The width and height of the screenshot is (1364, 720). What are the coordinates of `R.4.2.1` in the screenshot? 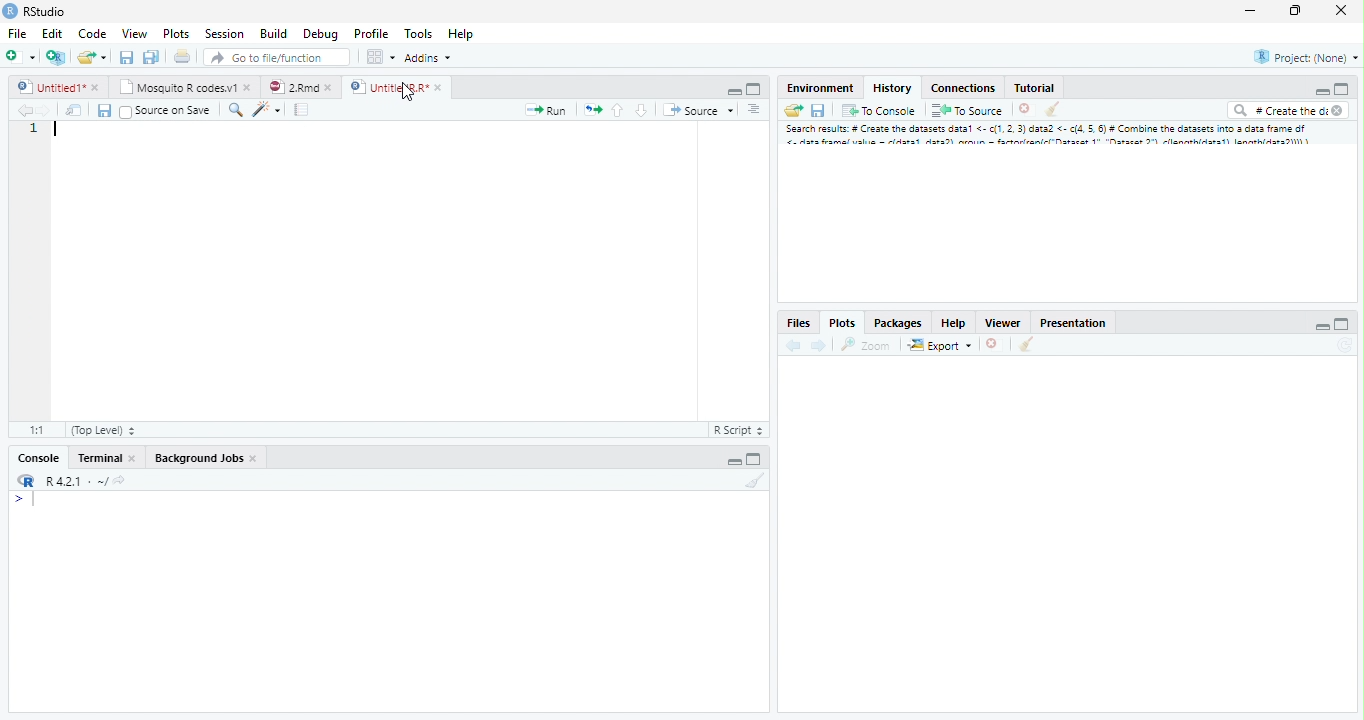 It's located at (65, 481).